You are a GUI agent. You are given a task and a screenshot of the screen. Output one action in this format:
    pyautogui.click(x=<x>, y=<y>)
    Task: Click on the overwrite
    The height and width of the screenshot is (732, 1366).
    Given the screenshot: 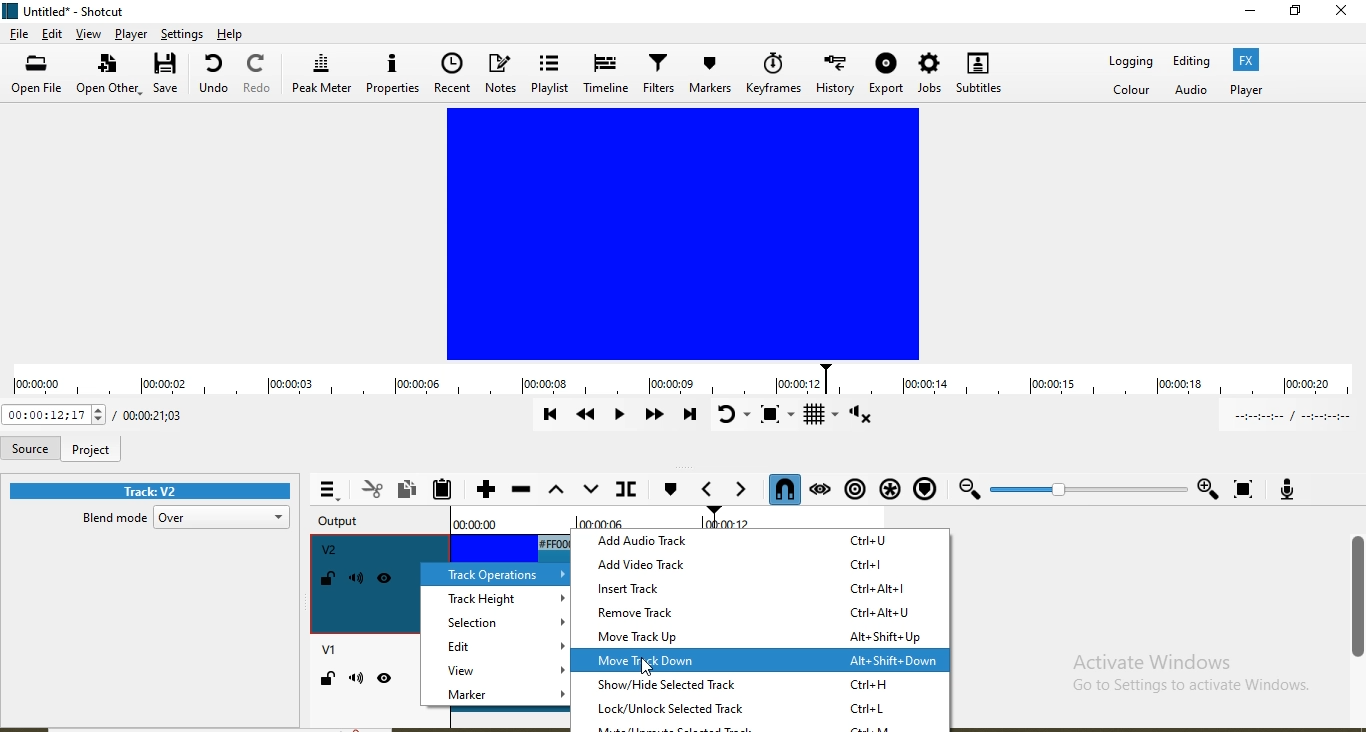 What is the action you would take?
    pyautogui.click(x=590, y=489)
    